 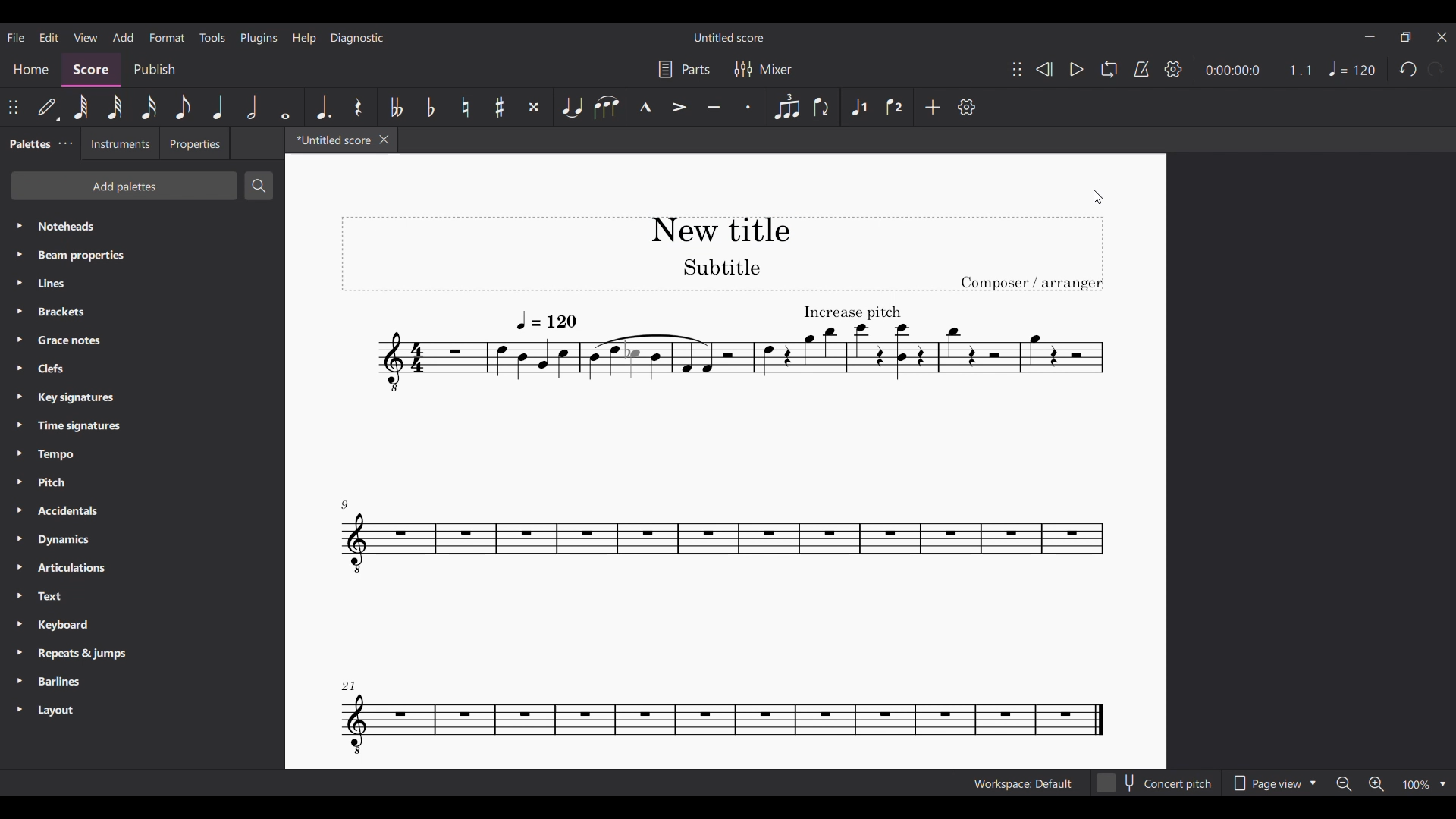 I want to click on Concert pitch toggle, so click(x=1155, y=783).